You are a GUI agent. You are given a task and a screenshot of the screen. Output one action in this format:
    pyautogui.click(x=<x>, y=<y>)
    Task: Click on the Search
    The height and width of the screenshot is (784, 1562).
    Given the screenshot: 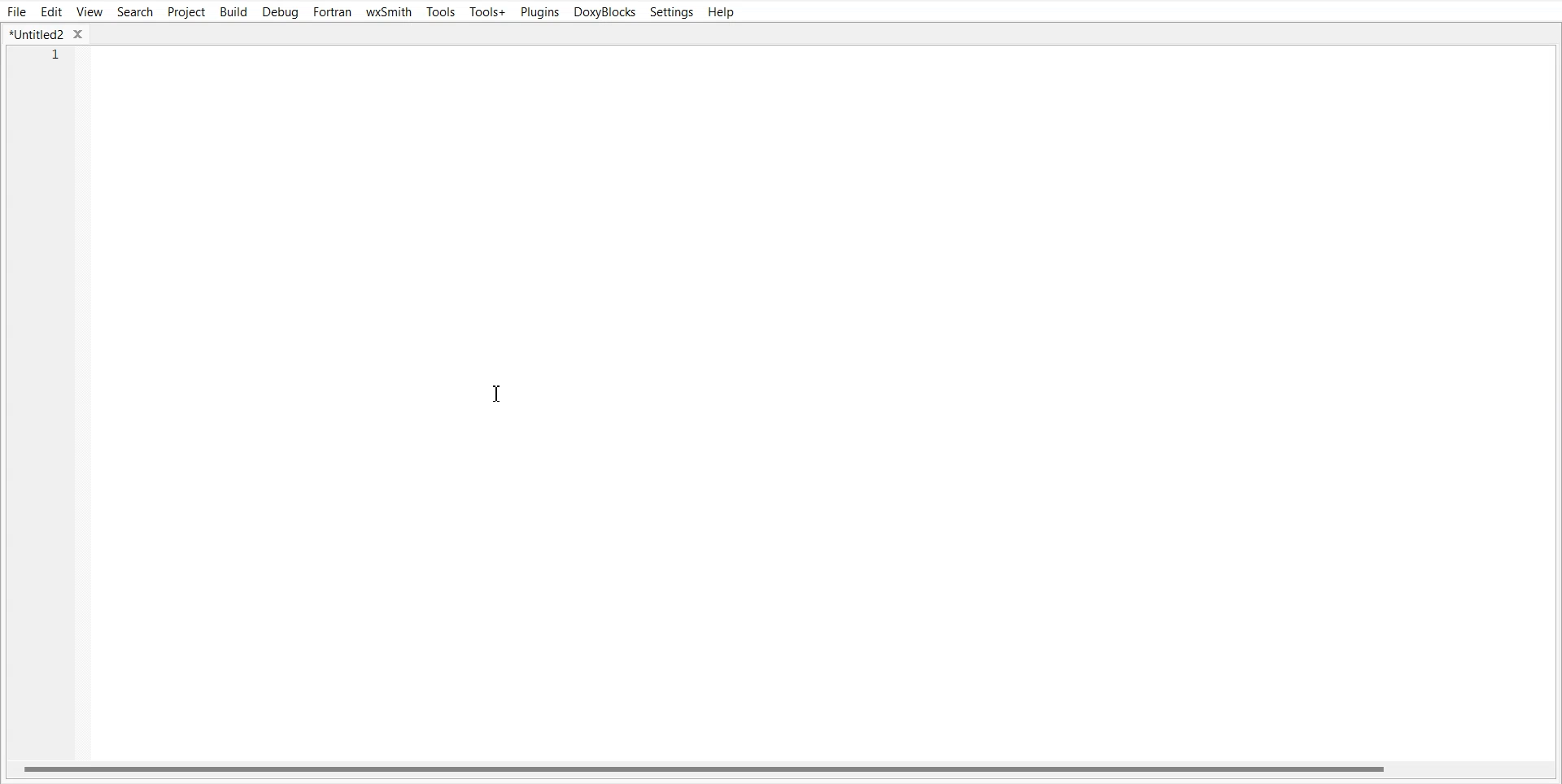 What is the action you would take?
    pyautogui.click(x=134, y=12)
    